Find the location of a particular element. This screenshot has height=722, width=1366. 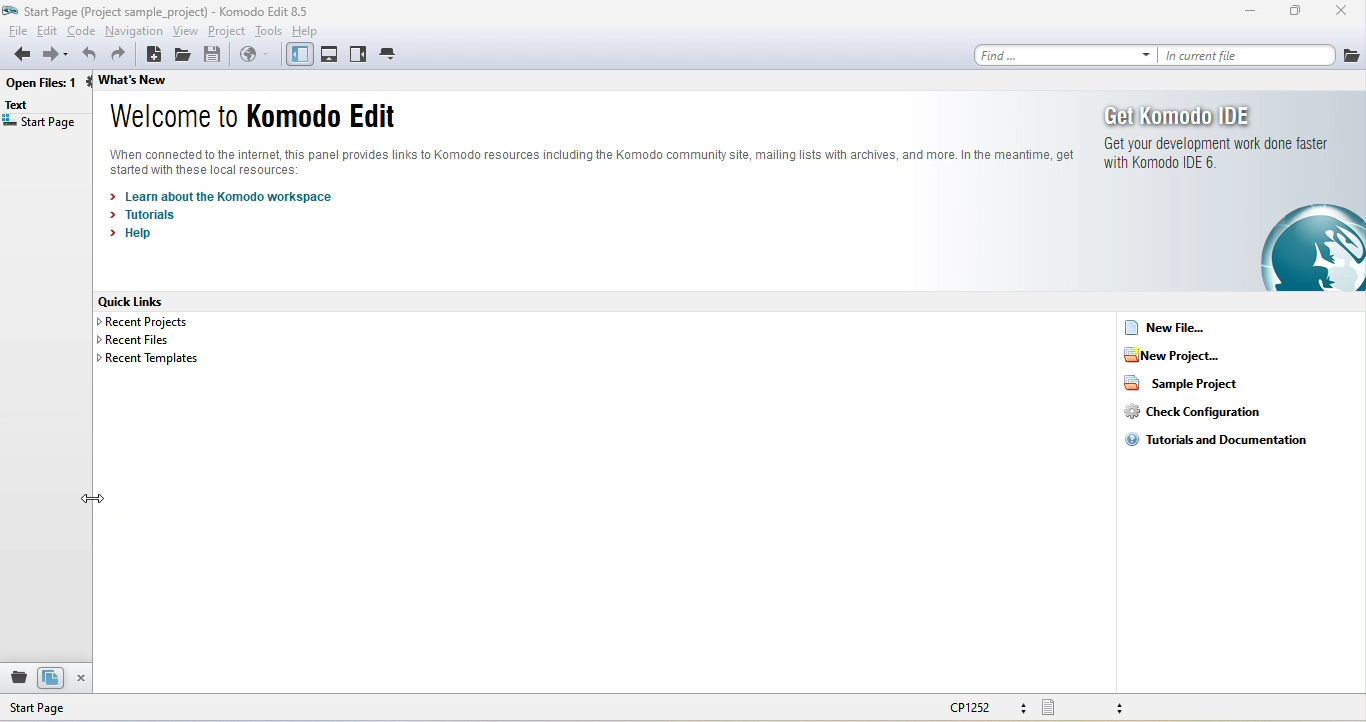

file type is located at coordinates (1097, 707).